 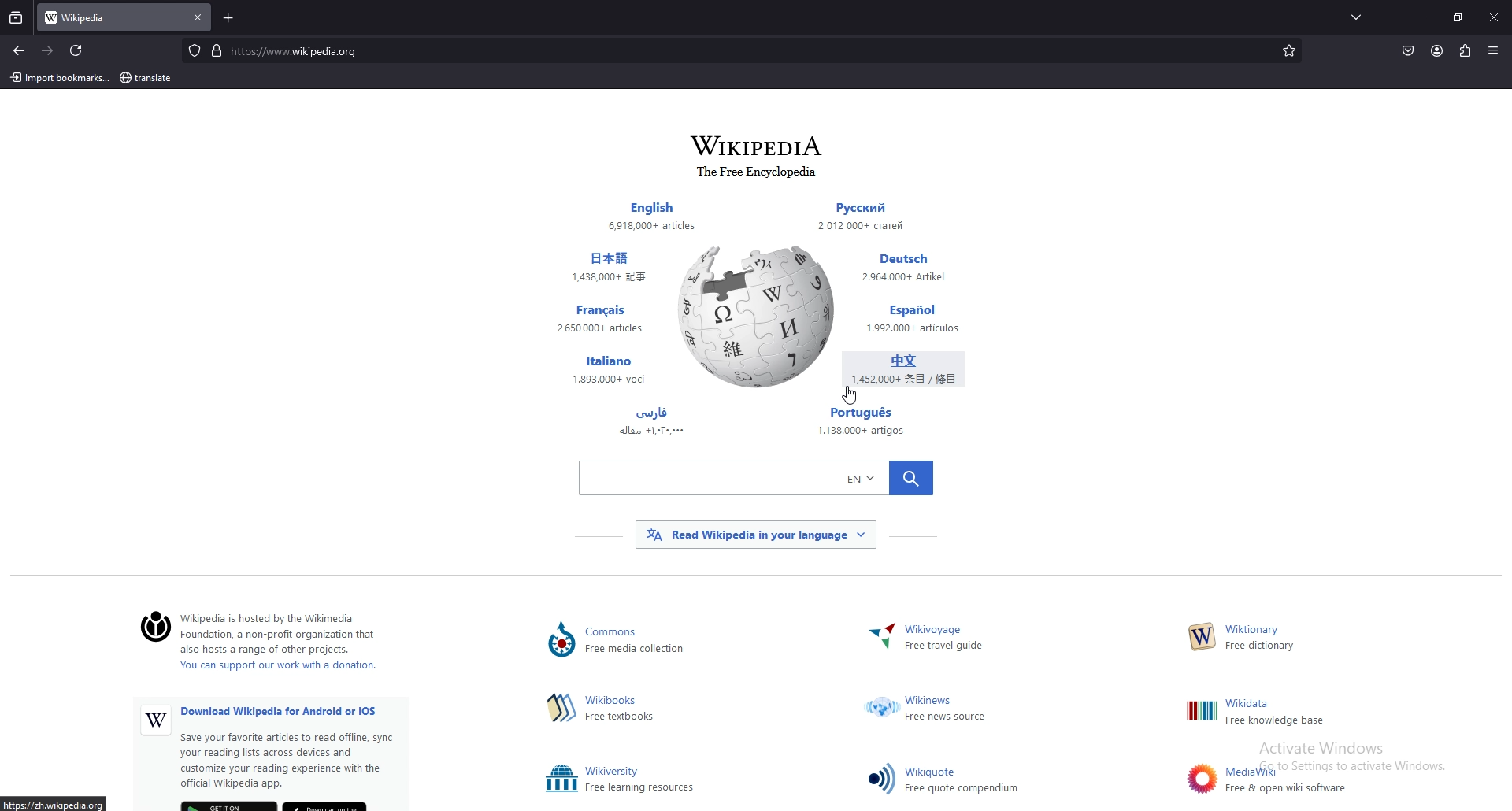 What do you see at coordinates (62, 78) in the screenshot?
I see `import bookmarks` at bounding box center [62, 78].